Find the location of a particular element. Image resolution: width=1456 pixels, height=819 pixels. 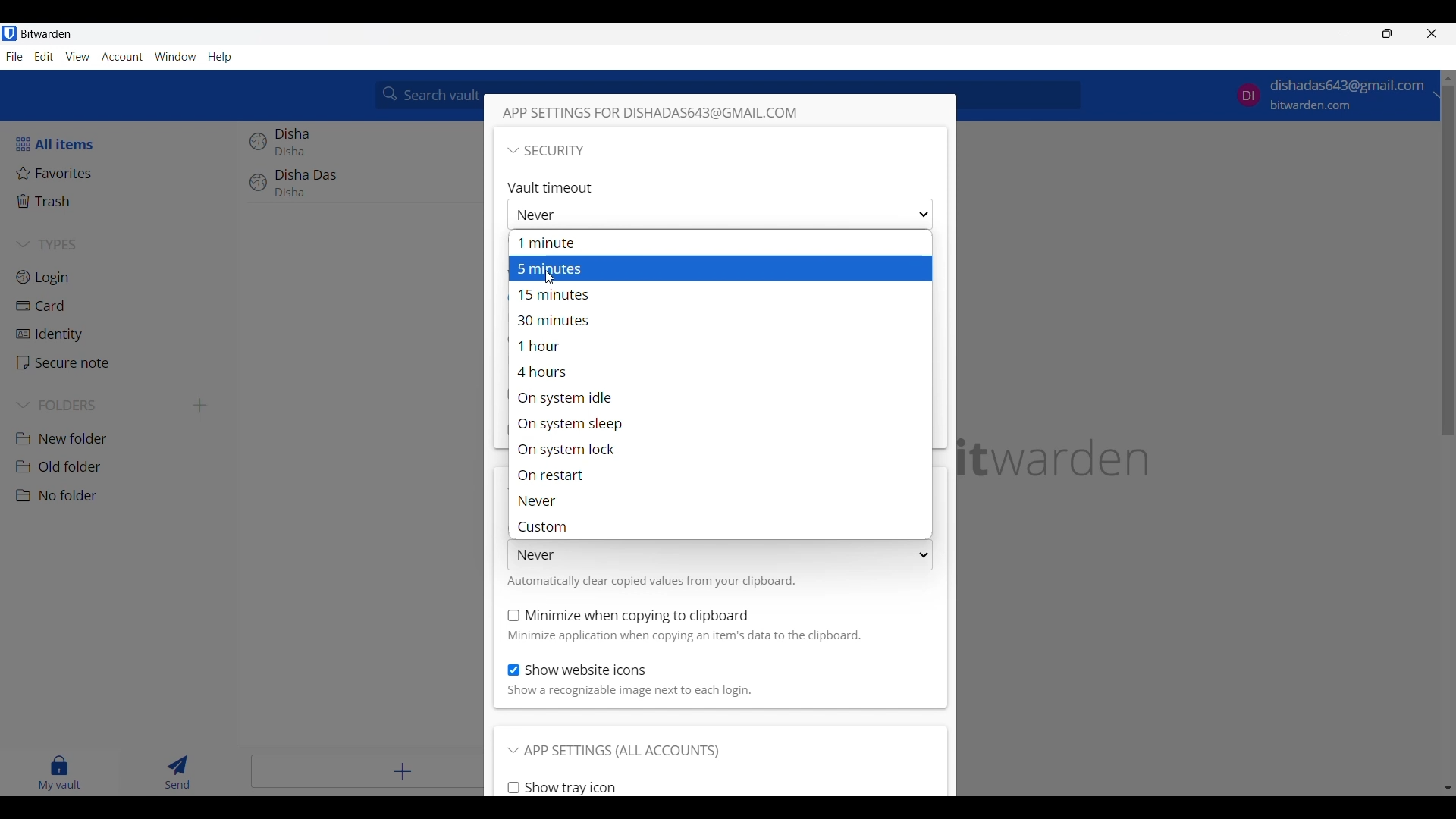

On system idle is located at coordinates (720, 397).